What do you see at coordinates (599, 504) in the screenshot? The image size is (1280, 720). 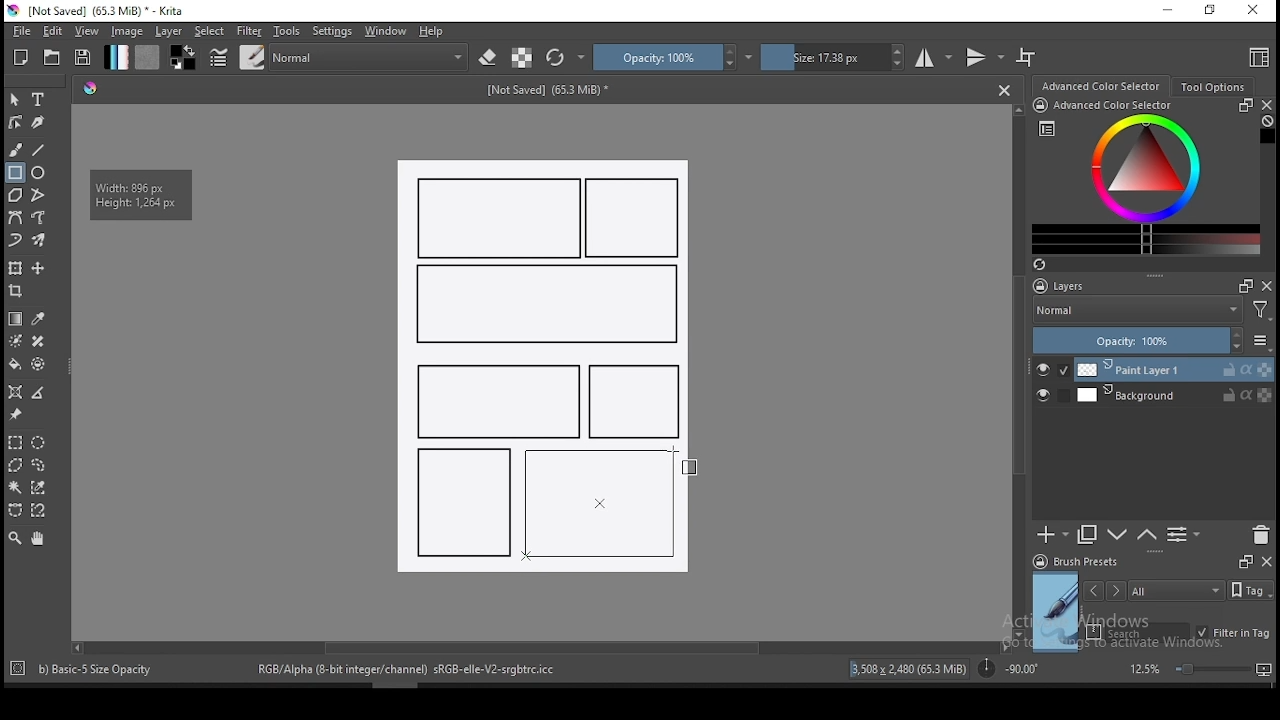 I see ` rectangle` at bounding box center [599, 504].